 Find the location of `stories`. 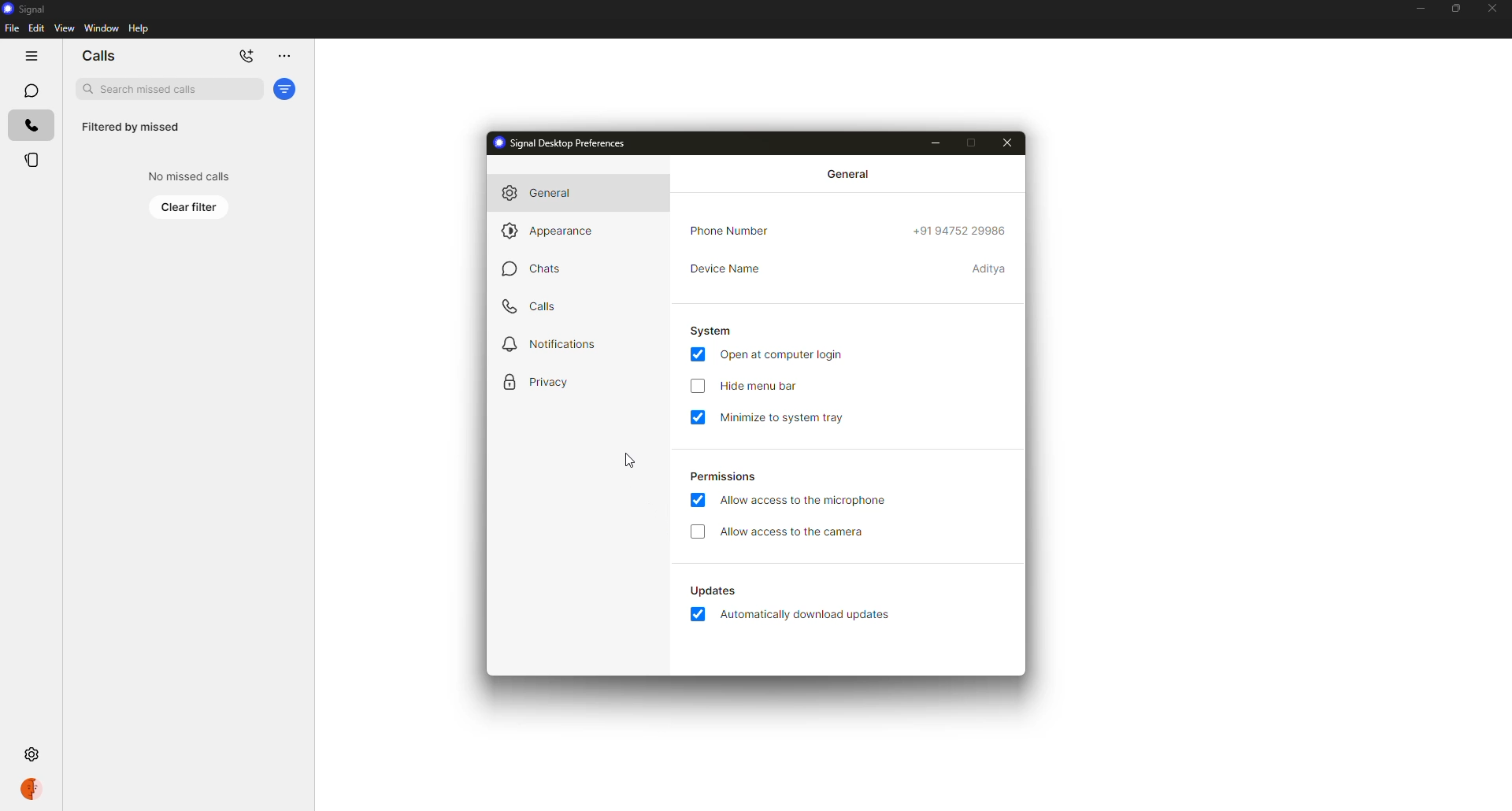

stories is located at coordinates (31, 161).